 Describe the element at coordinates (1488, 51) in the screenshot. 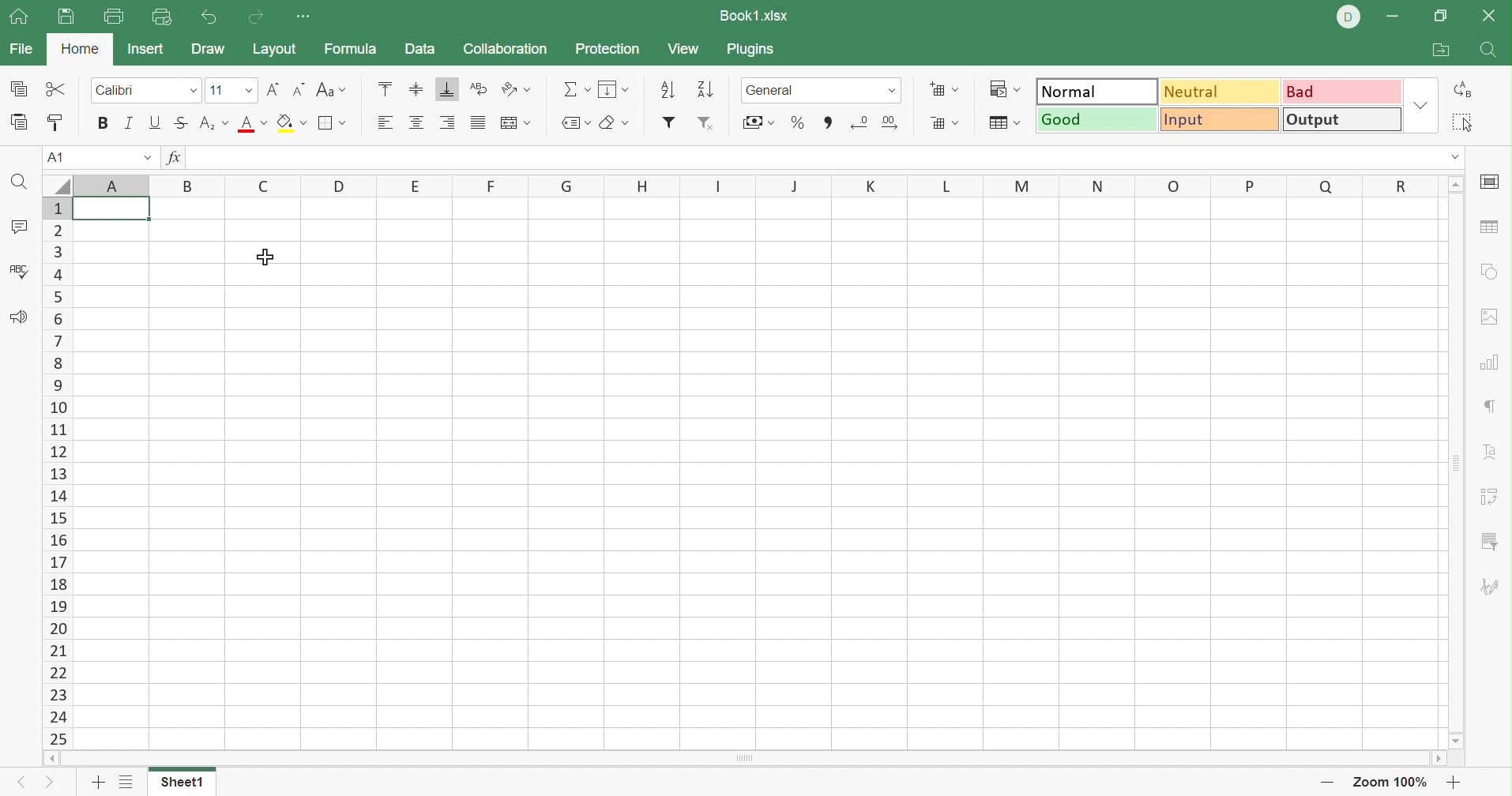

I see `Find` at that location.